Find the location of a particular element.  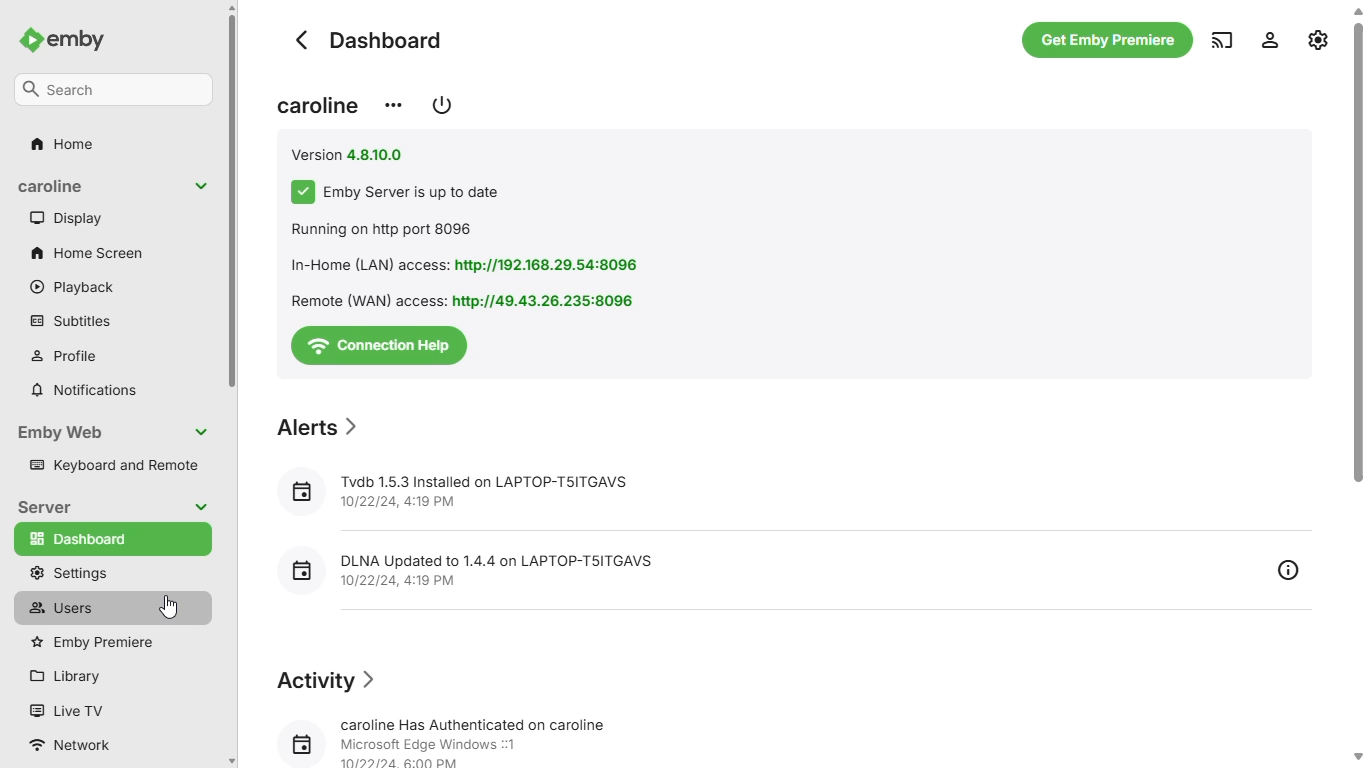

Emby servers up to date is located at coordinates (394, 191).